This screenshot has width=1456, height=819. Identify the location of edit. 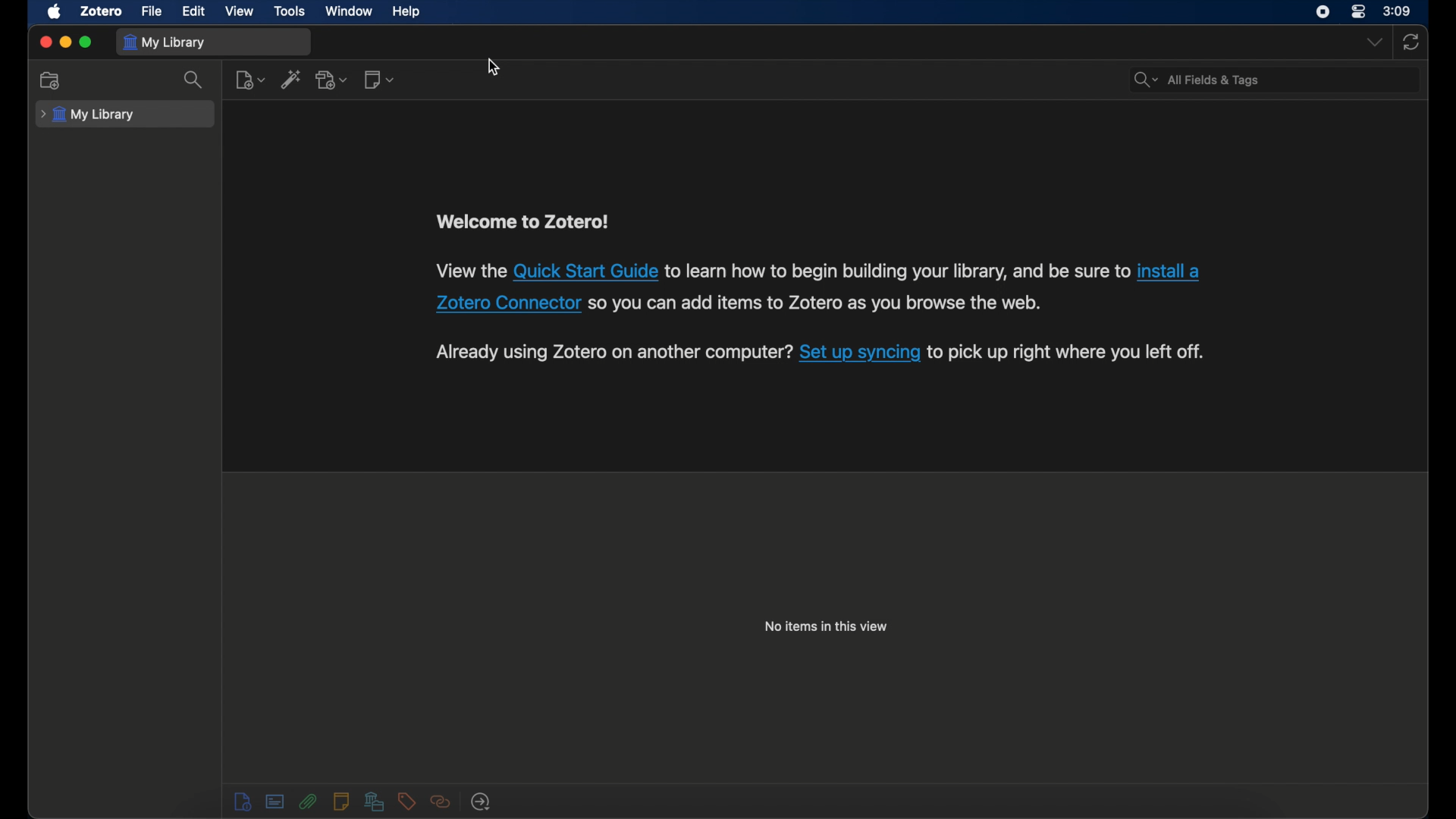
(193, 11).